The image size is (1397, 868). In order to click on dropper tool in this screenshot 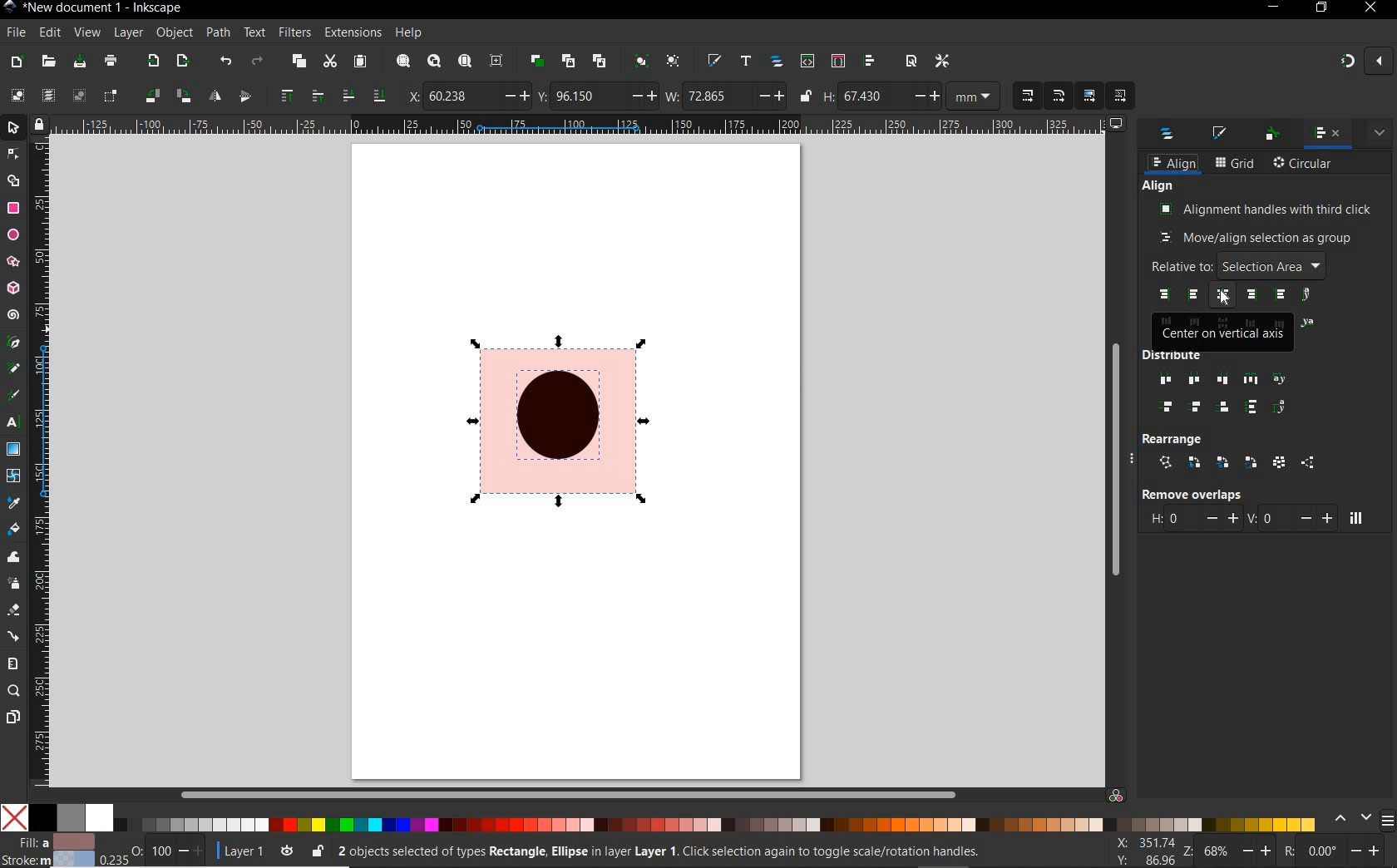, I will do `click(12, 501)`.